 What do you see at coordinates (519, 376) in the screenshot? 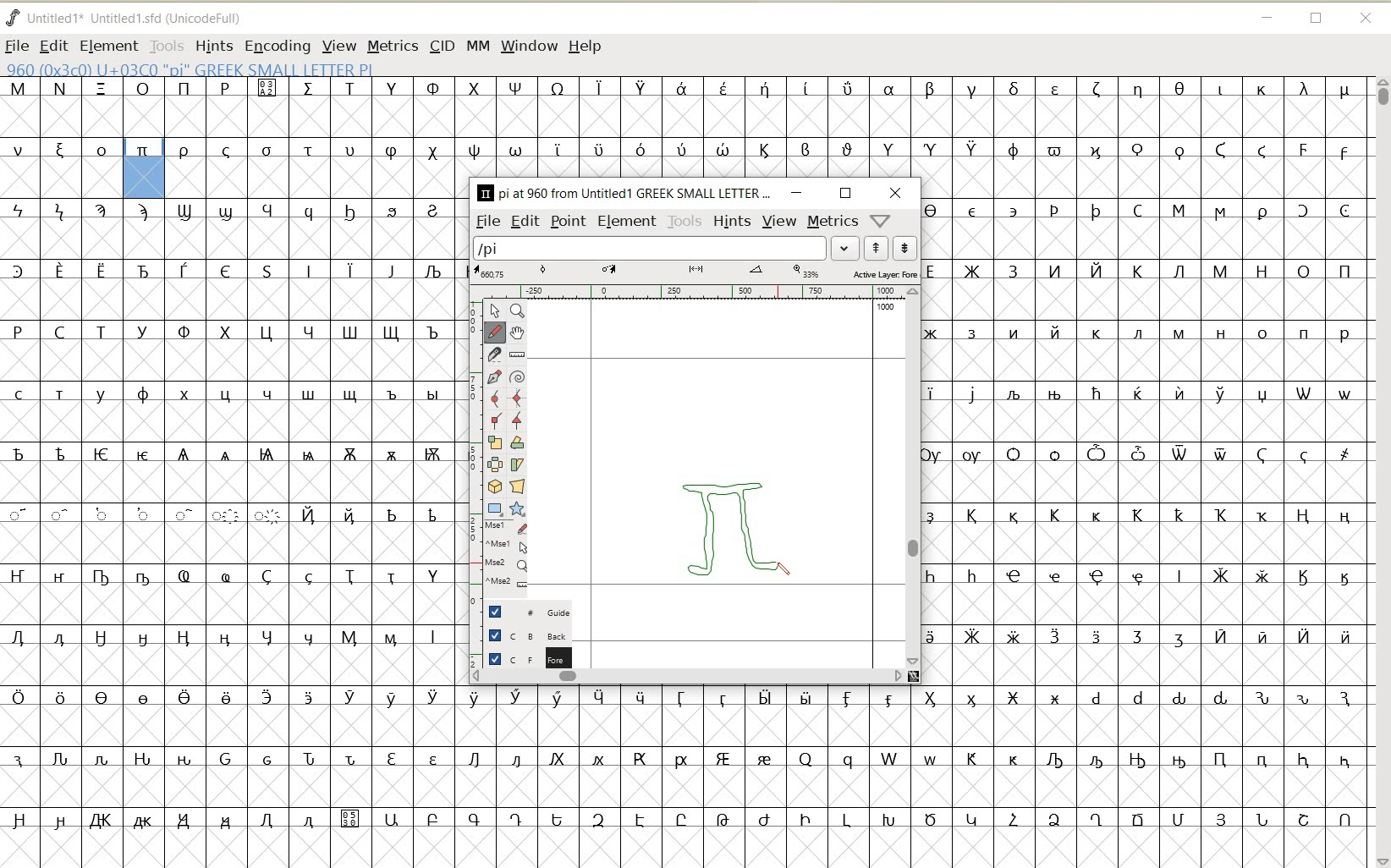
I see `change whether spiro is active or not` at bounding box center [519, 376].